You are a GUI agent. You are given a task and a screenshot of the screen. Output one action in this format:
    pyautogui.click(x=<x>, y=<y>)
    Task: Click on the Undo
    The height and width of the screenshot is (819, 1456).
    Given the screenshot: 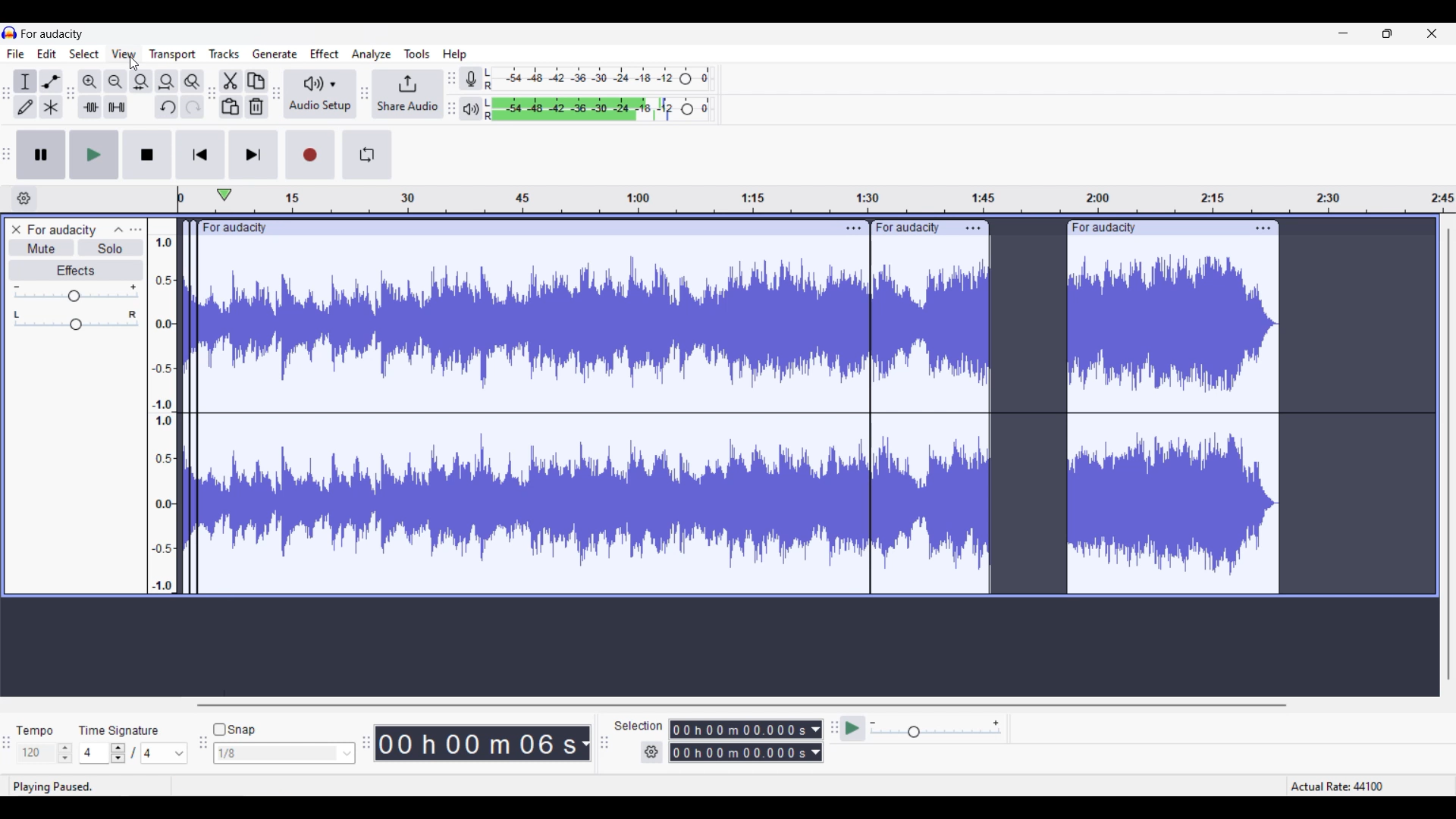 What is the action you would take?
    pyautogui.click(x=167, y=107)
    